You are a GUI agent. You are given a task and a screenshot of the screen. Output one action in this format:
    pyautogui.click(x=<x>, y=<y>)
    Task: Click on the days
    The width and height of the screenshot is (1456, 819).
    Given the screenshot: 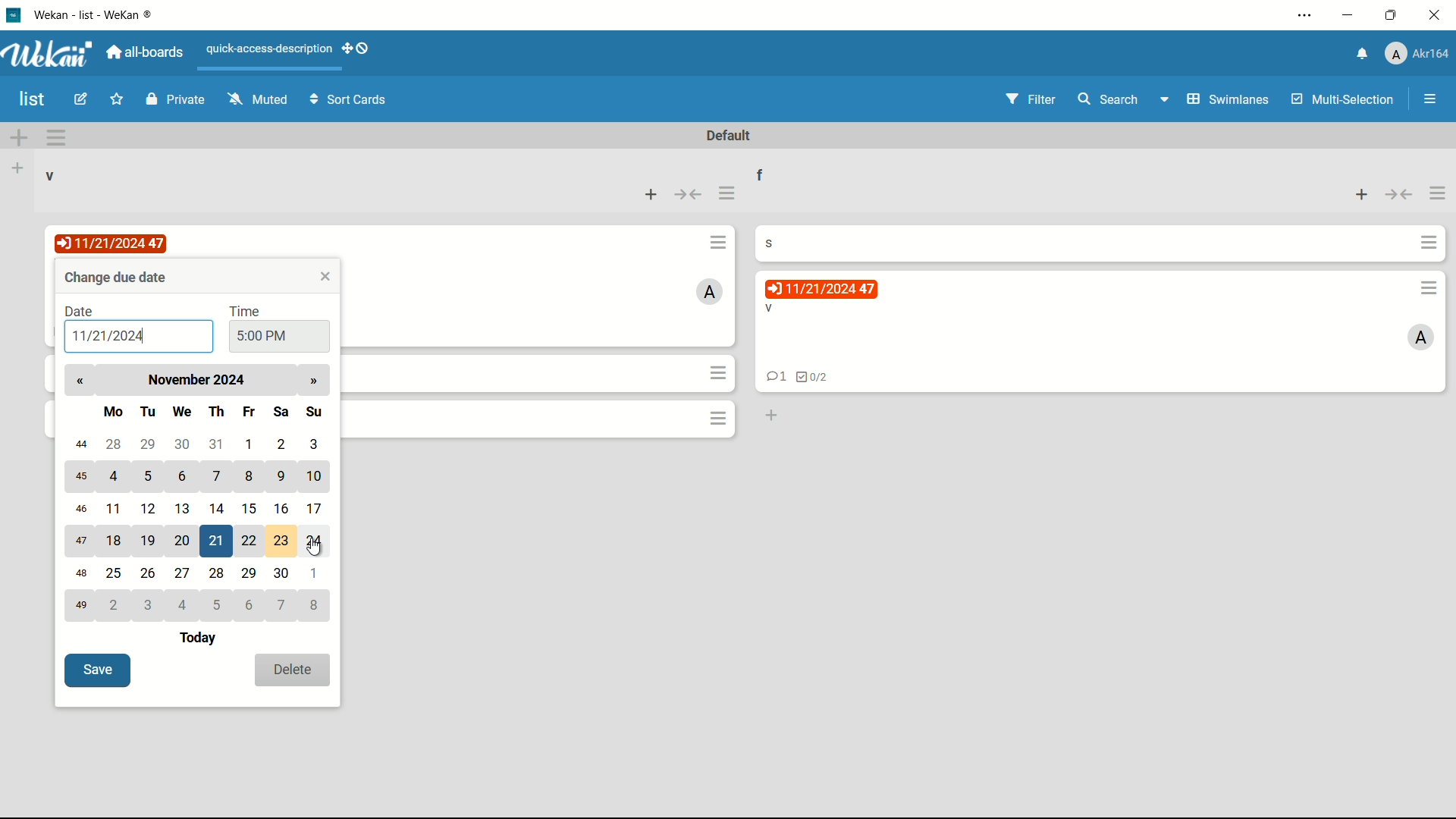 What is the action you would take?
    pyautogui.click(x=213, y=409)
    